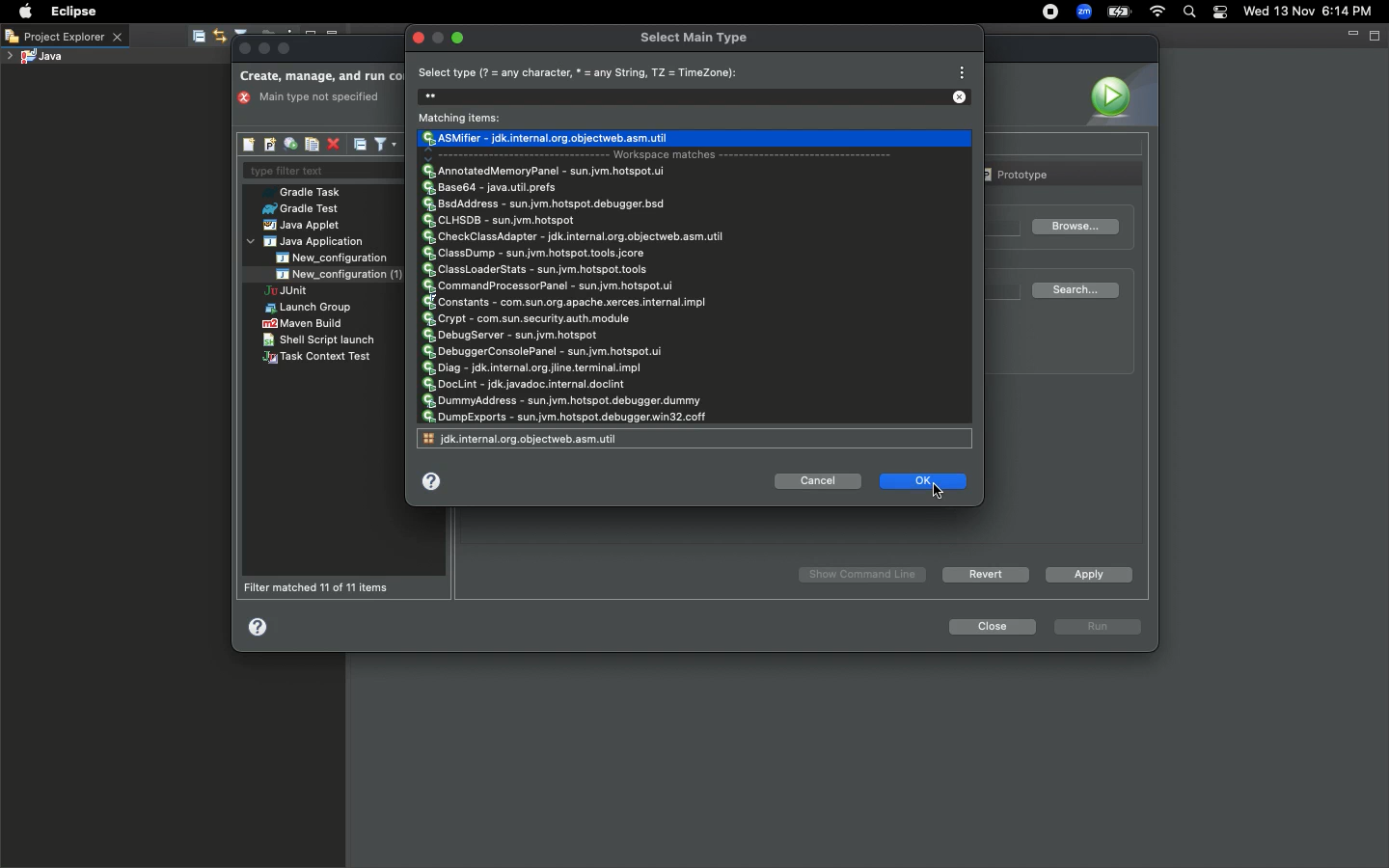 This screenshot has width=1389, height=868. Describe the element at coordinates (1099, 628) in the screenshot. I see `run` at that location.